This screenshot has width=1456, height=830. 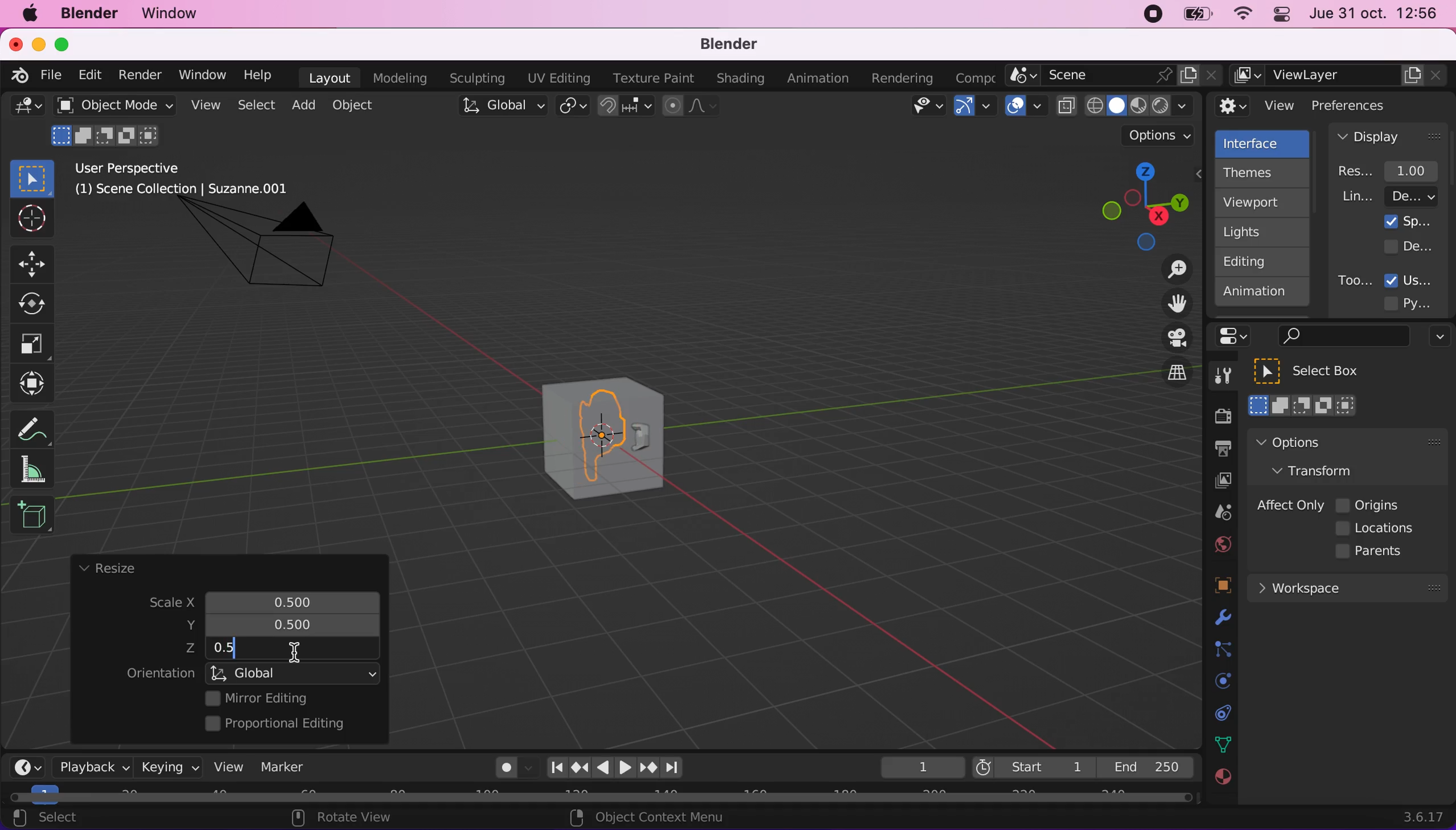 I want to click on general, so click(x=27, y=109).